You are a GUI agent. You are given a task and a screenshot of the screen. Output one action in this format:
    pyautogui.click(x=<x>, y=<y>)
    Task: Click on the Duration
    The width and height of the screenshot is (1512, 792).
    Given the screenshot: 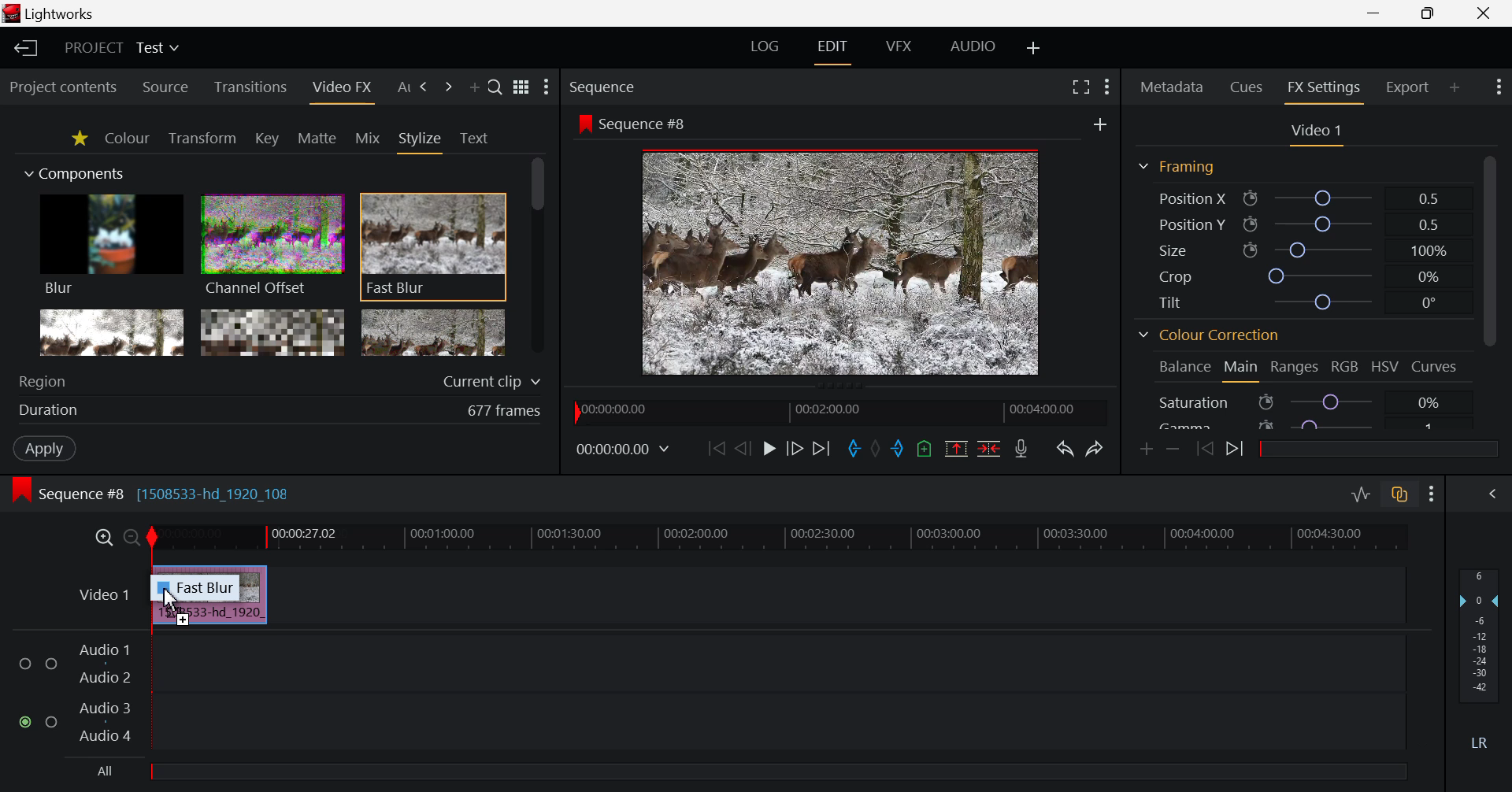 What is the action you would take?
    pyautogui.click(x=283, y=409)
    